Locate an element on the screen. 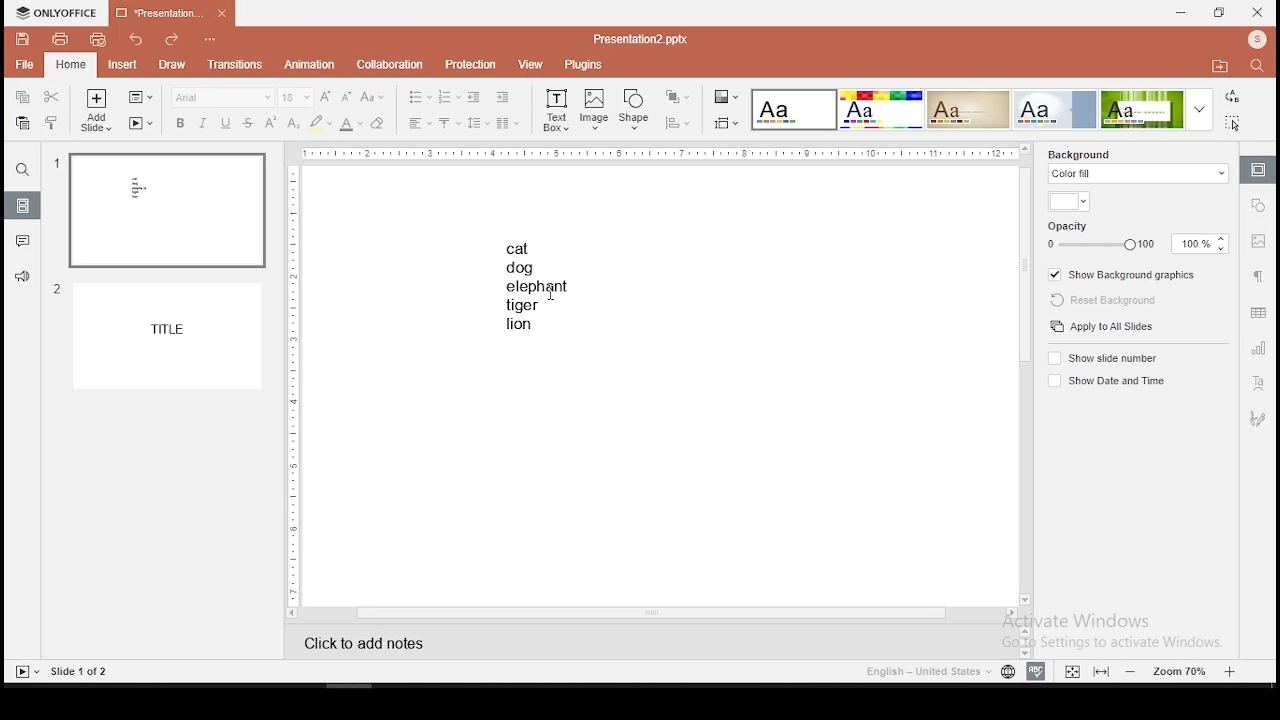 The width and height of the screenshot is (1280, 720). animation is located at coordinates (308, 64).